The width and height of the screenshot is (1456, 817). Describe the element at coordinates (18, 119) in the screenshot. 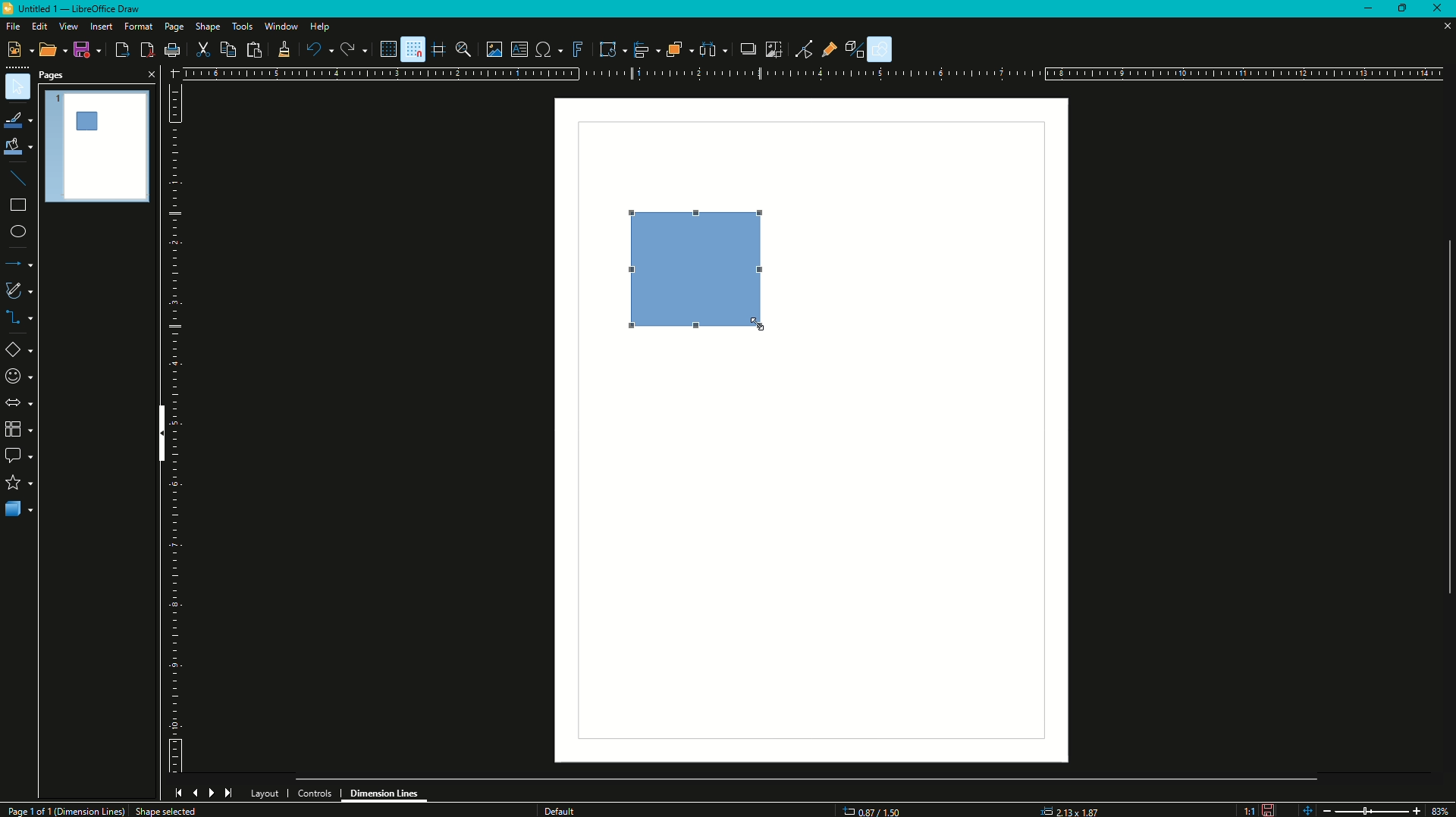

I see `Line Color` at that location.